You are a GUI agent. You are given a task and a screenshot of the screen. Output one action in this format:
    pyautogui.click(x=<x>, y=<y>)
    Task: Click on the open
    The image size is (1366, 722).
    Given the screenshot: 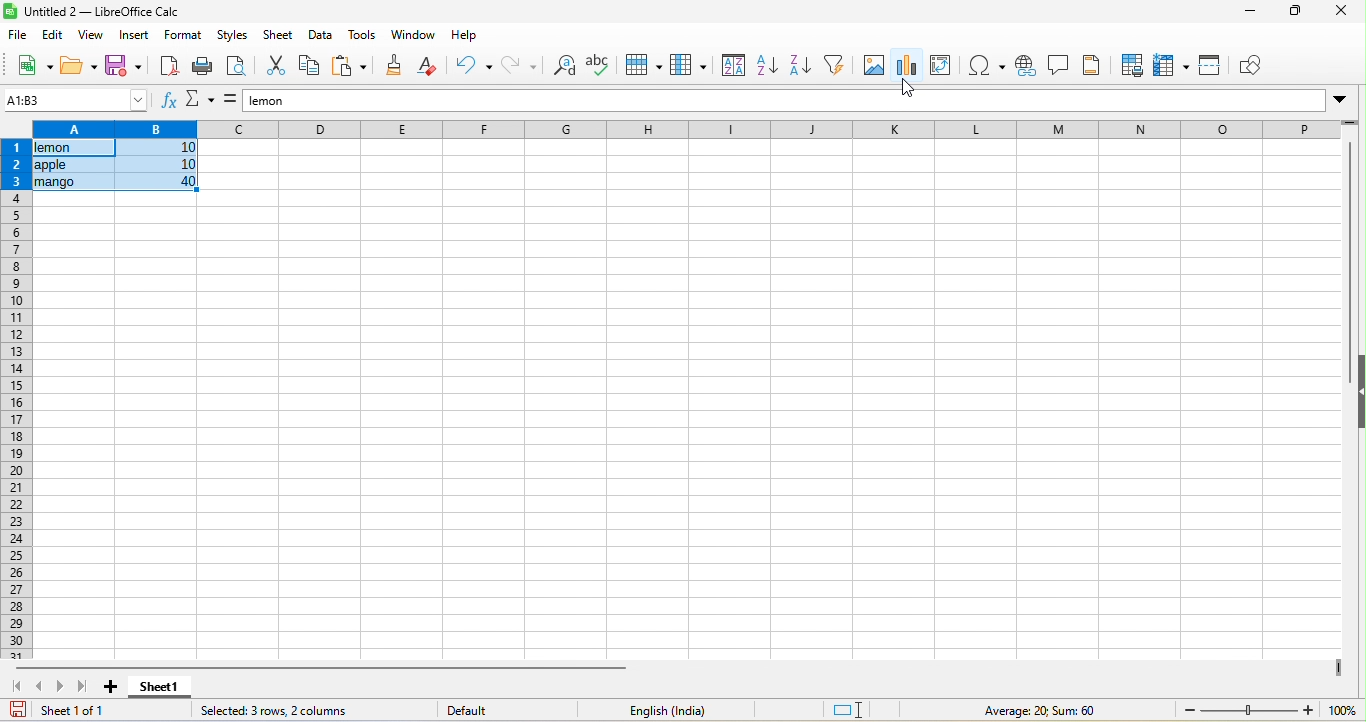 What is the action you would take?
    pyautogui.click(x=78, y=65)
    